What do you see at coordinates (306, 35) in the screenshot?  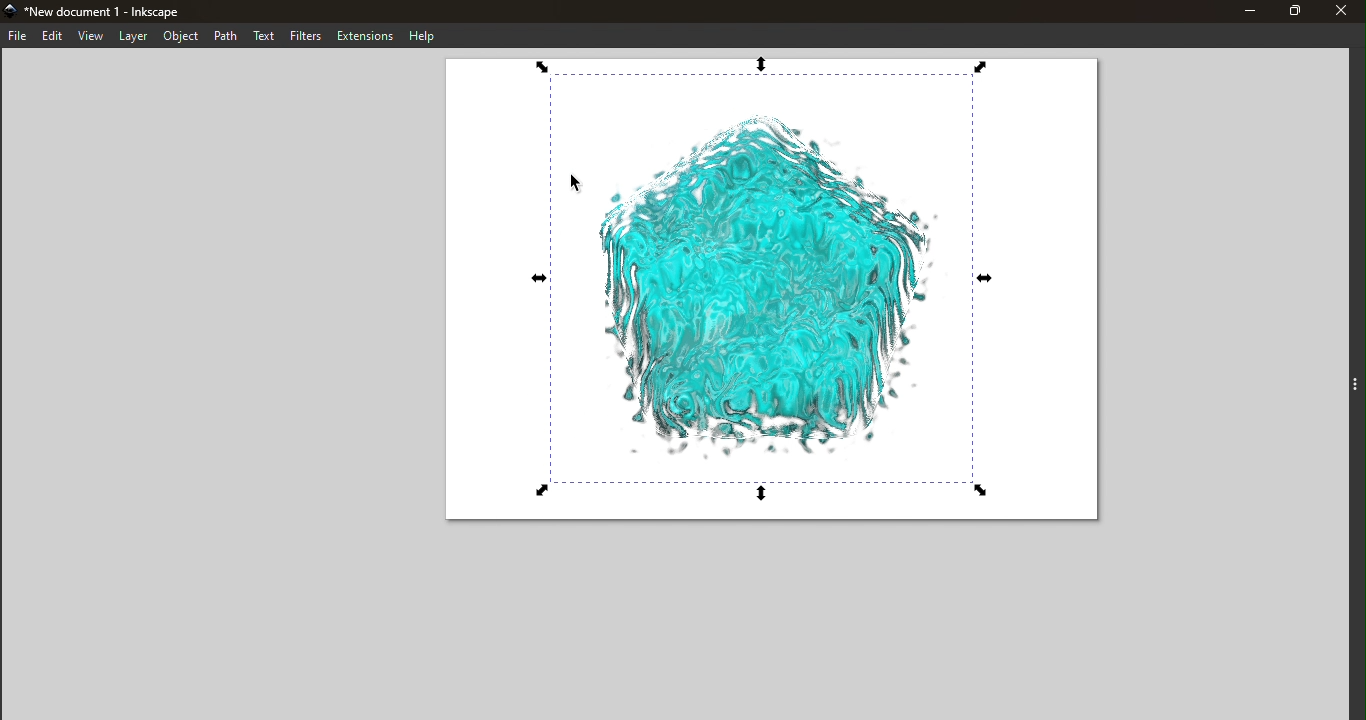 I see `Filters` at bounding box center [306, 35].